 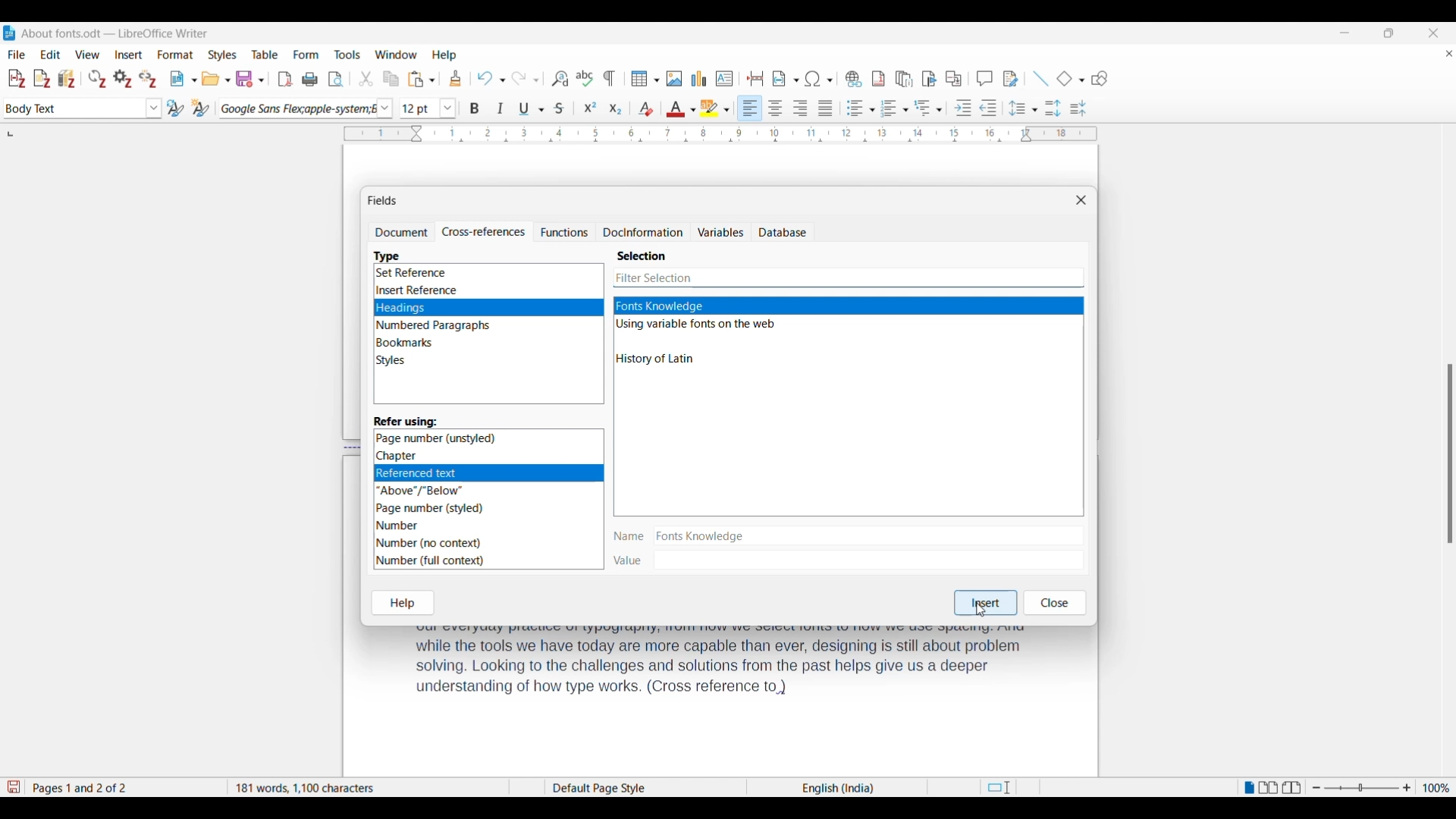 What do you see at coordinates (403, 603) in the screenshot?
I see `Help` at bounding box center [403, 603].